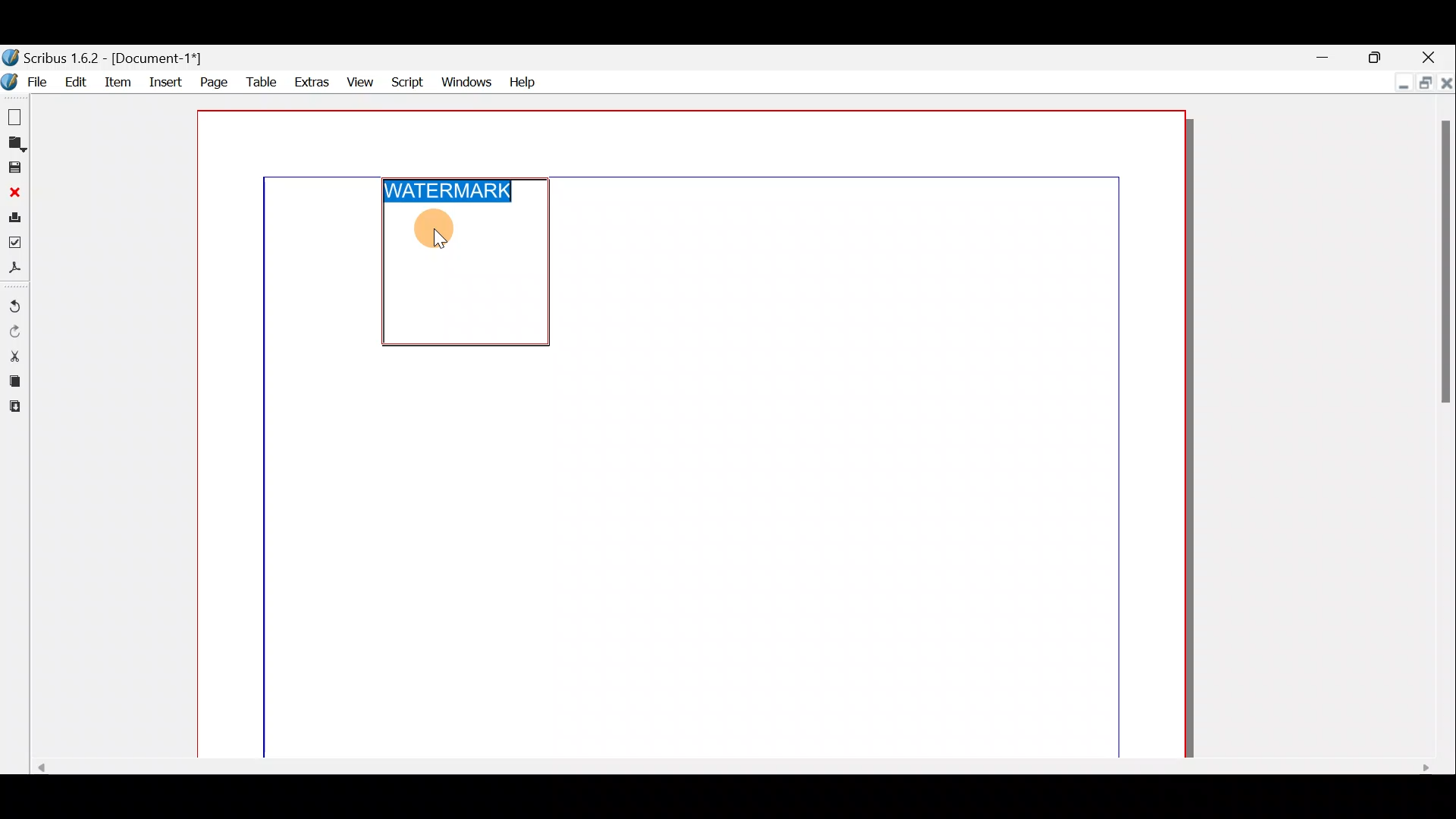  I want to click on Copy, so click(12, 383).